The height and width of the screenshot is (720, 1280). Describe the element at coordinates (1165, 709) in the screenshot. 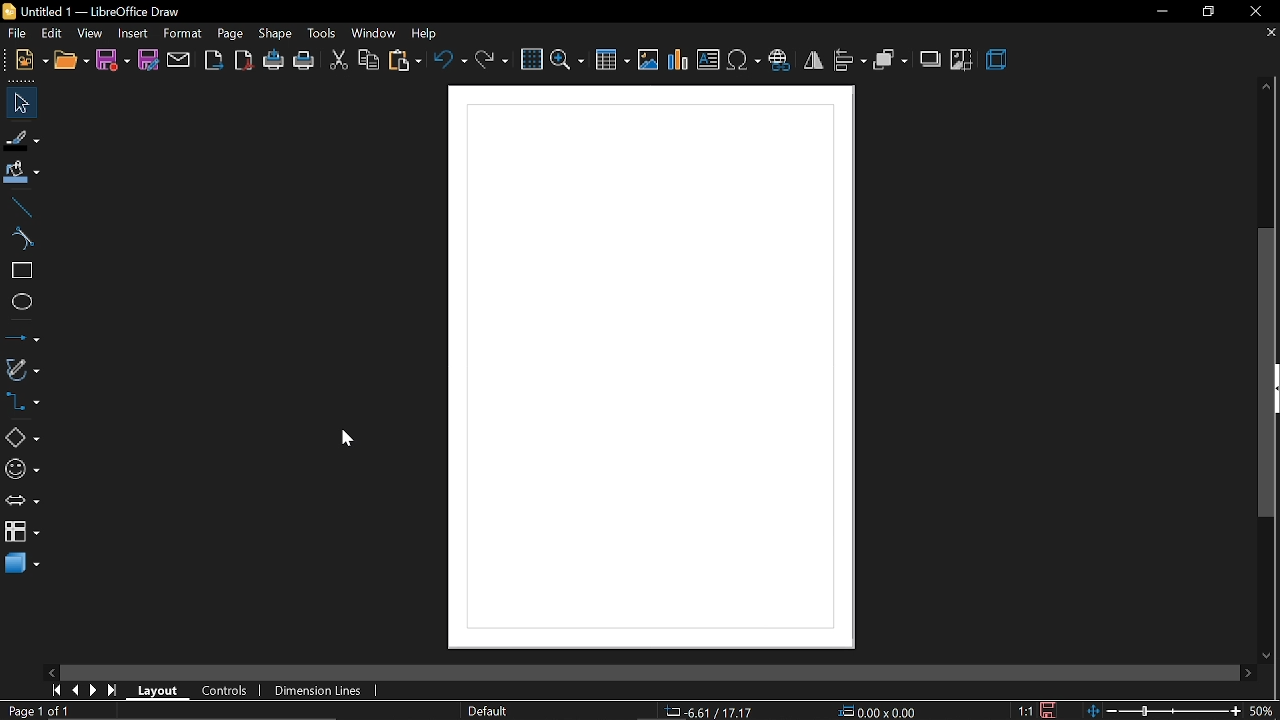

I see `change zoom` at that location.